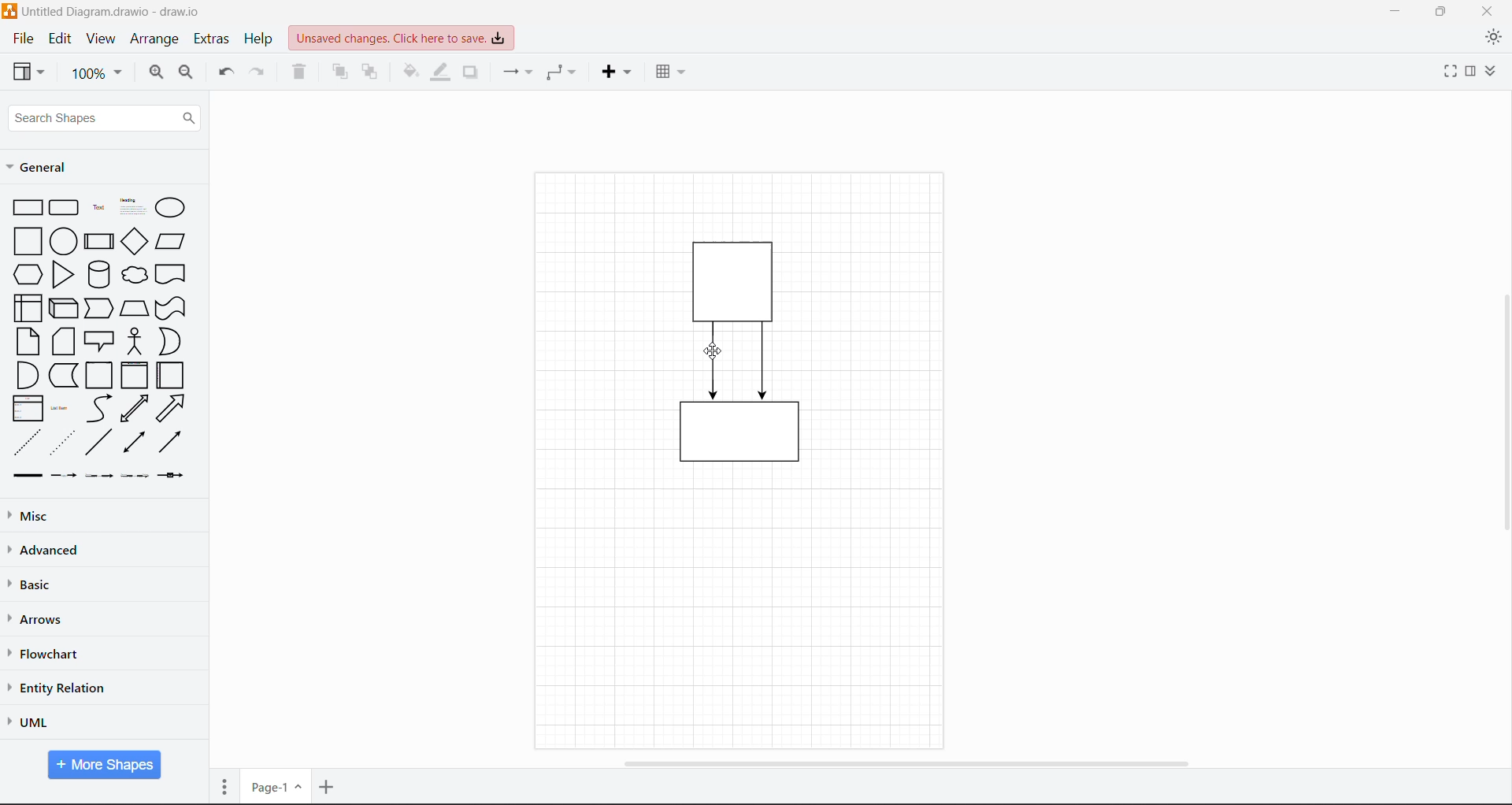 The height and width of the screenshot is (805, 1512). What do you see at coordinates (29, 71) in the screenshot?
I see `View` at bounding box center [29, 71].